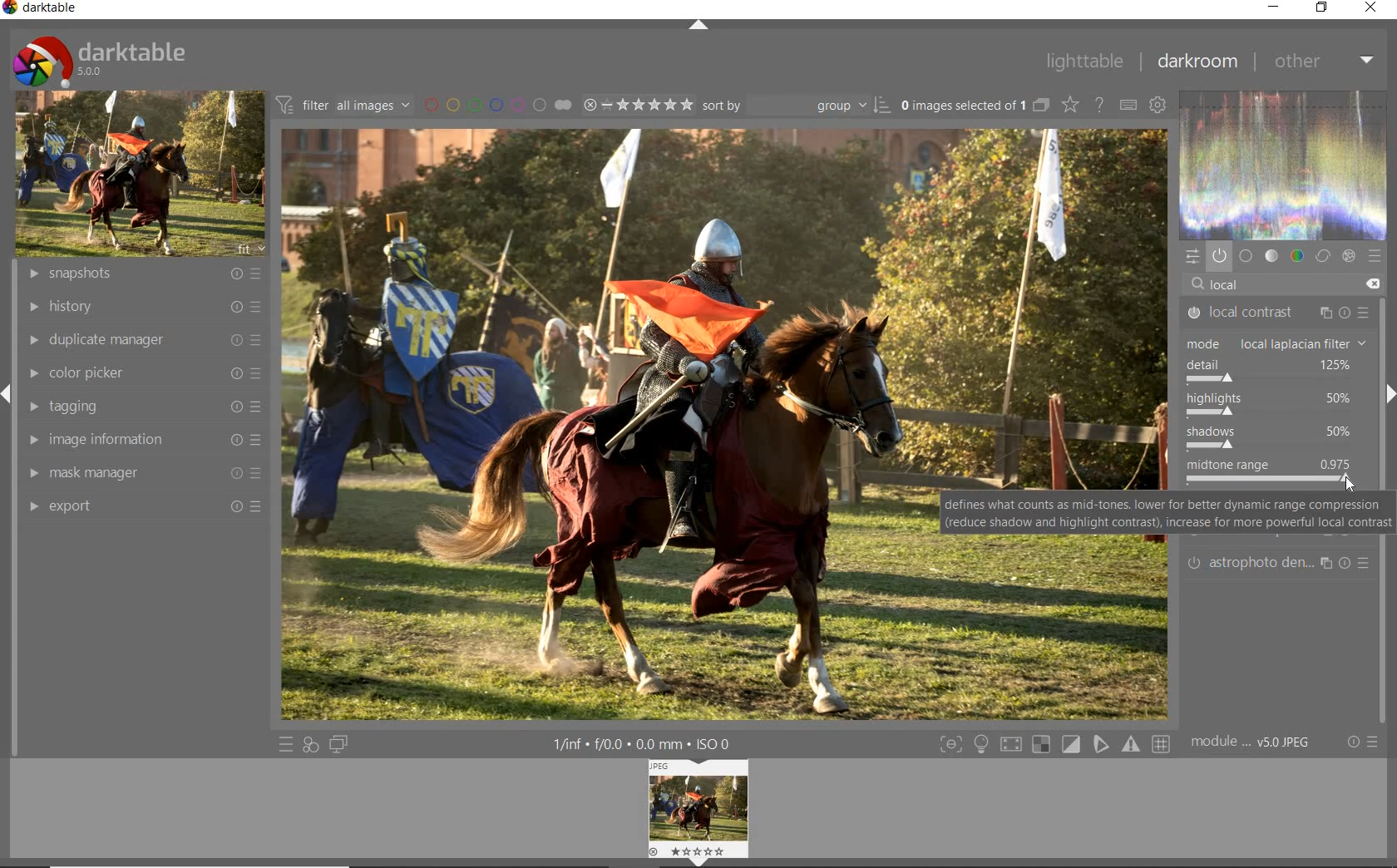 This screenshot has height=868, width=1397. What do you see at coordinates (142, 275) in the screenshot?
I see `snapshots` at bounding box center [142, 275].